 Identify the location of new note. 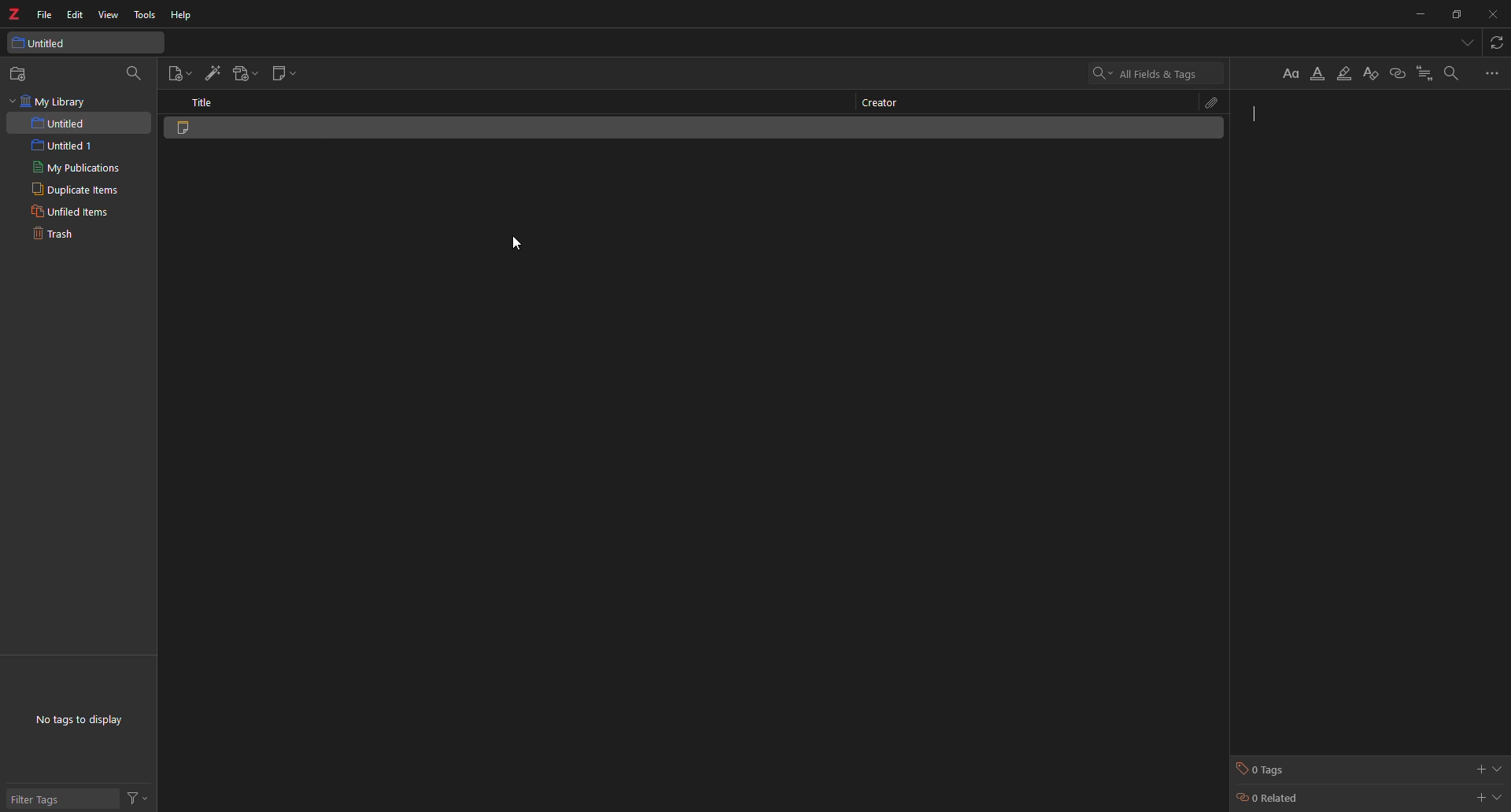
(284, 70).